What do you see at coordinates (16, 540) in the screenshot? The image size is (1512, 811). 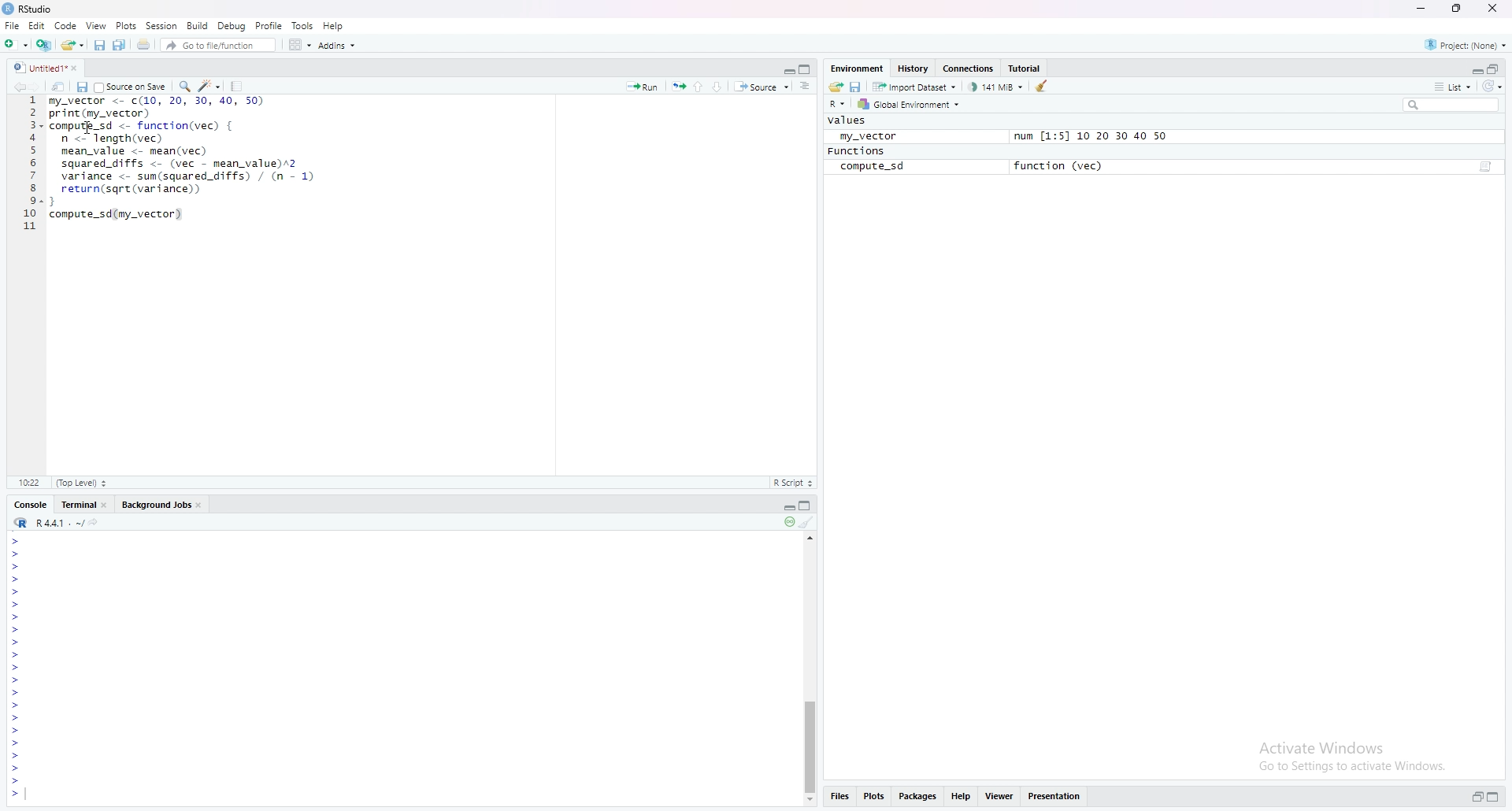 I see `Prompt cursor` at bounding box center [16, 540].